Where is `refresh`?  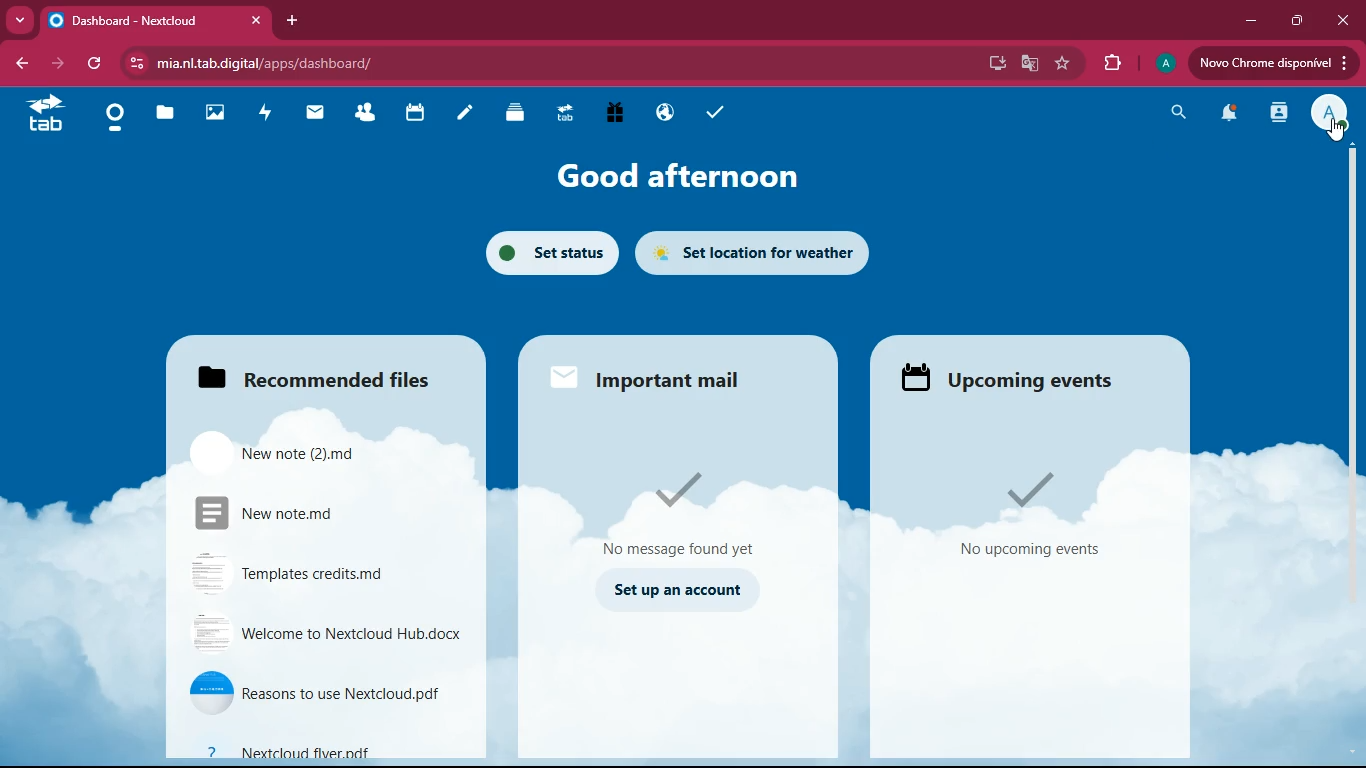 refresh is located at coordinates (95, 65).